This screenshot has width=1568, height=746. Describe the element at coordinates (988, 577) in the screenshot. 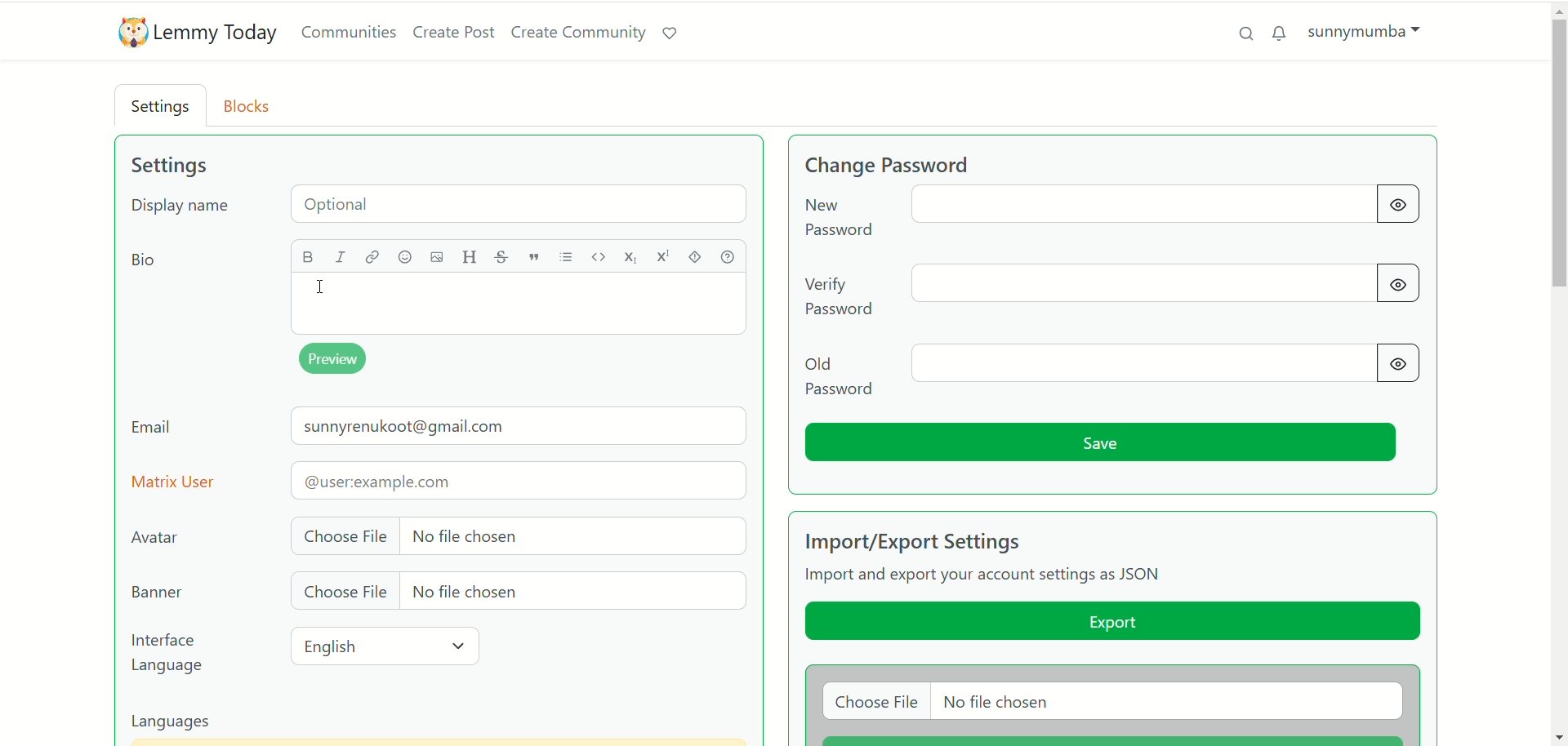

I see `text` at that location.